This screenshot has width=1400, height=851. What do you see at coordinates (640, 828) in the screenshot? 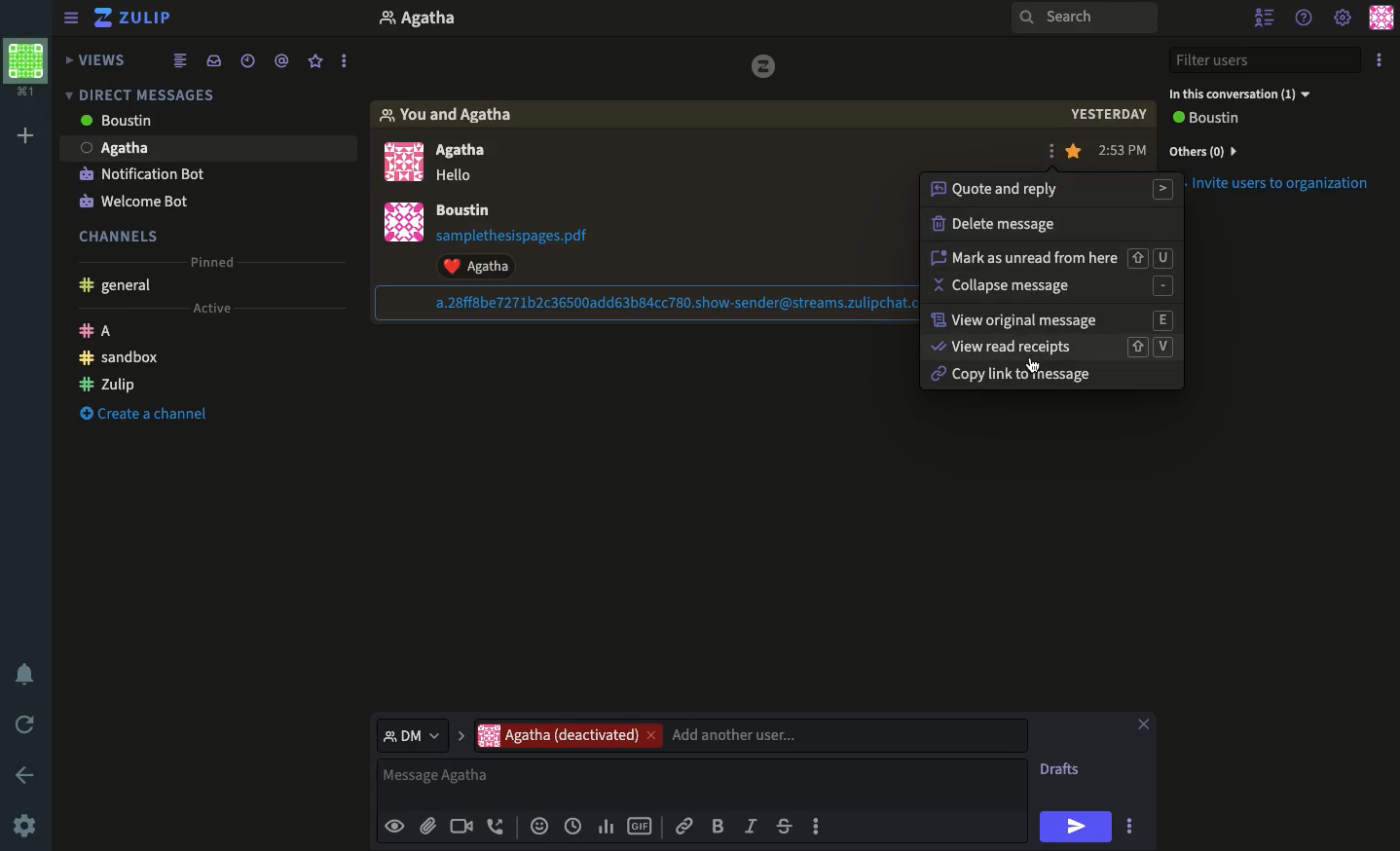
I see `GIF` at bounding box center [640, 828].